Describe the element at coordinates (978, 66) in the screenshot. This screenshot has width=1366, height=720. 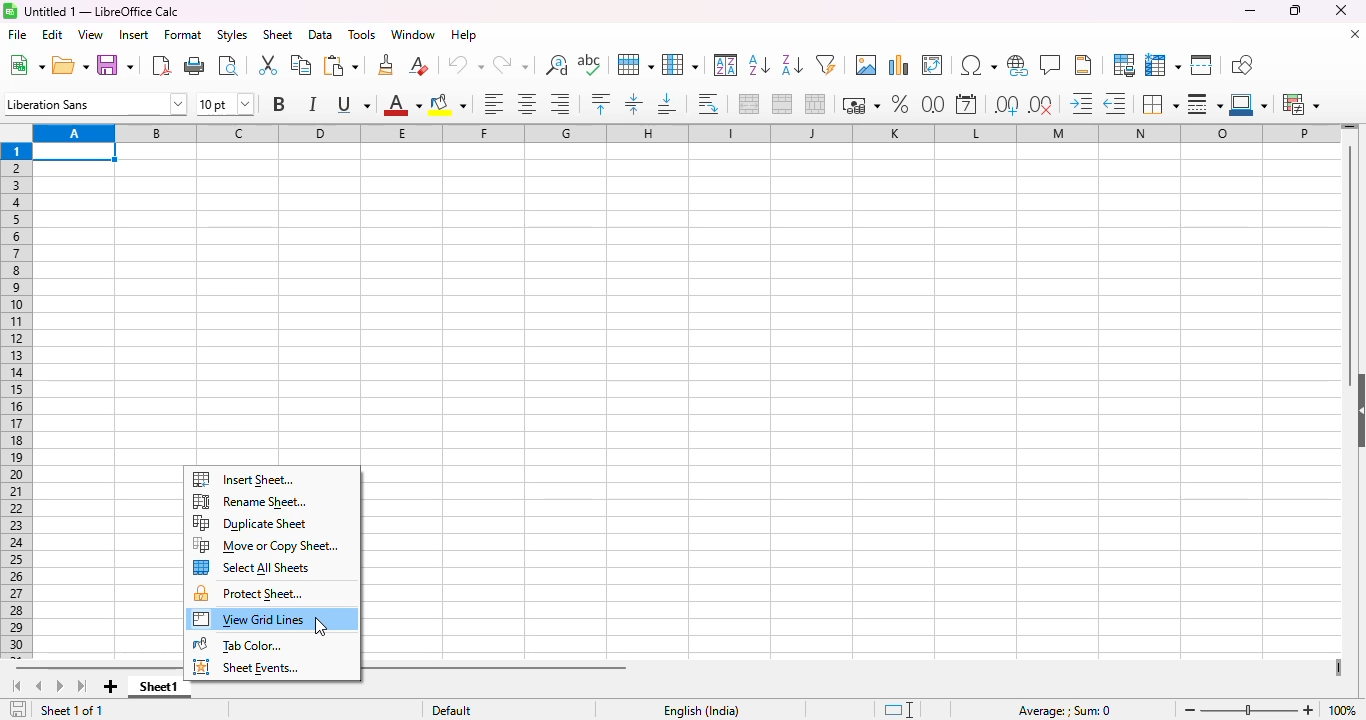
I see `insert special characters` at that location.